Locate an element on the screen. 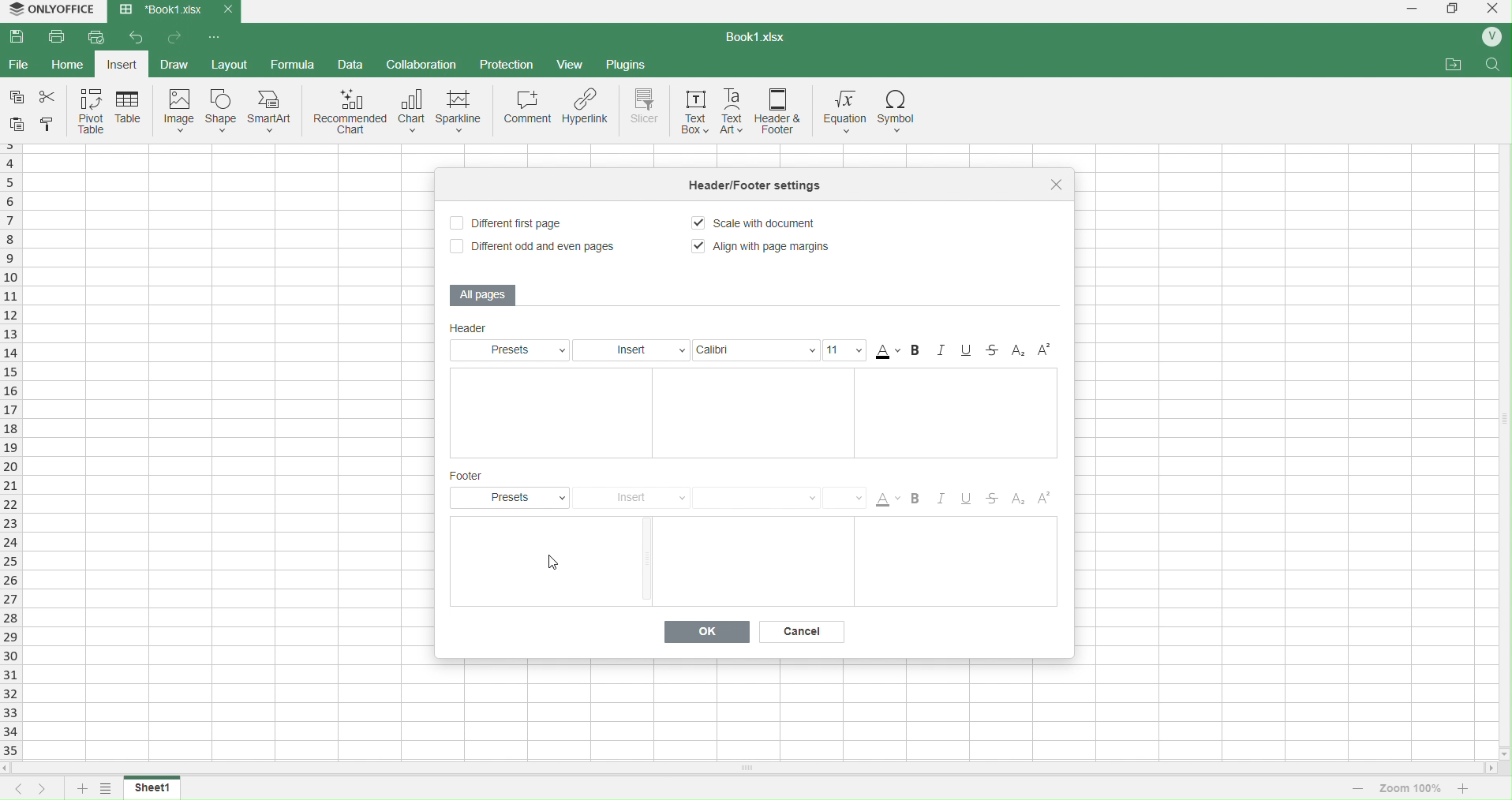 The height and width of the screenshot is (800, 1512). layout is located at coordinates (231, 65).